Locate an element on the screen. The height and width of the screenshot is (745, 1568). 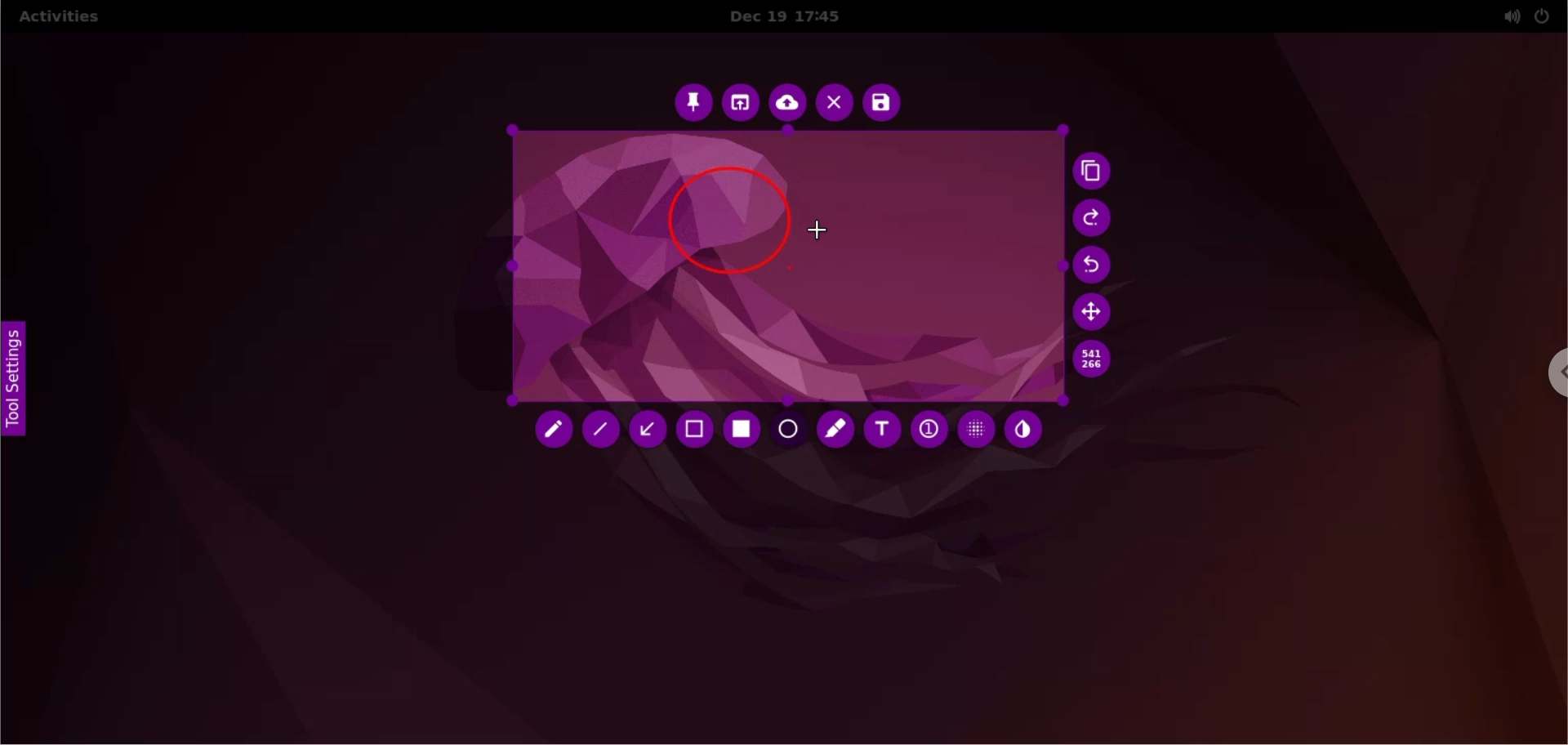
x and y coordinates value is located at coordinates (1092, 359).